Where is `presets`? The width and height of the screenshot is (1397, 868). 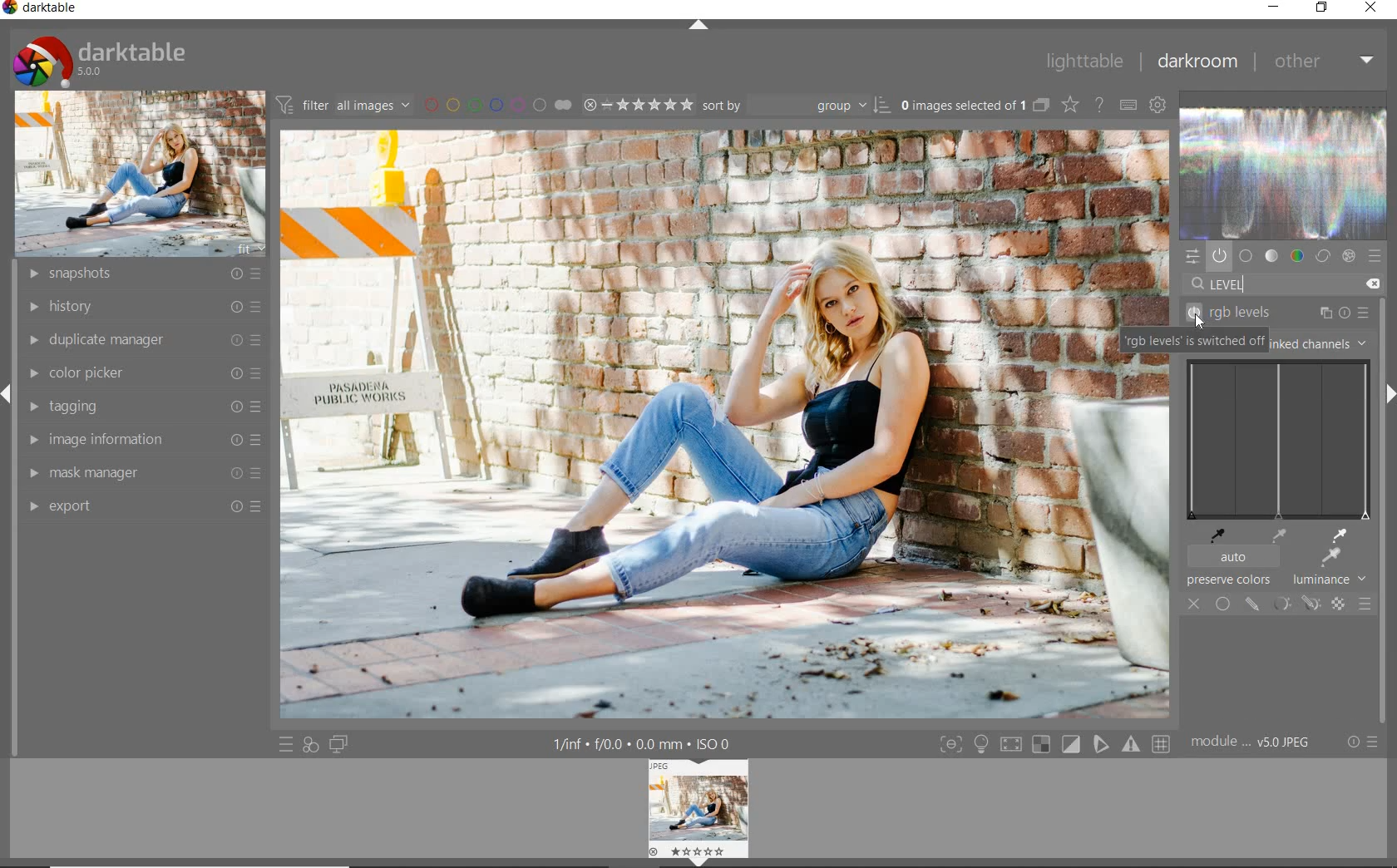
presets is located at coordinates (1377, 254).